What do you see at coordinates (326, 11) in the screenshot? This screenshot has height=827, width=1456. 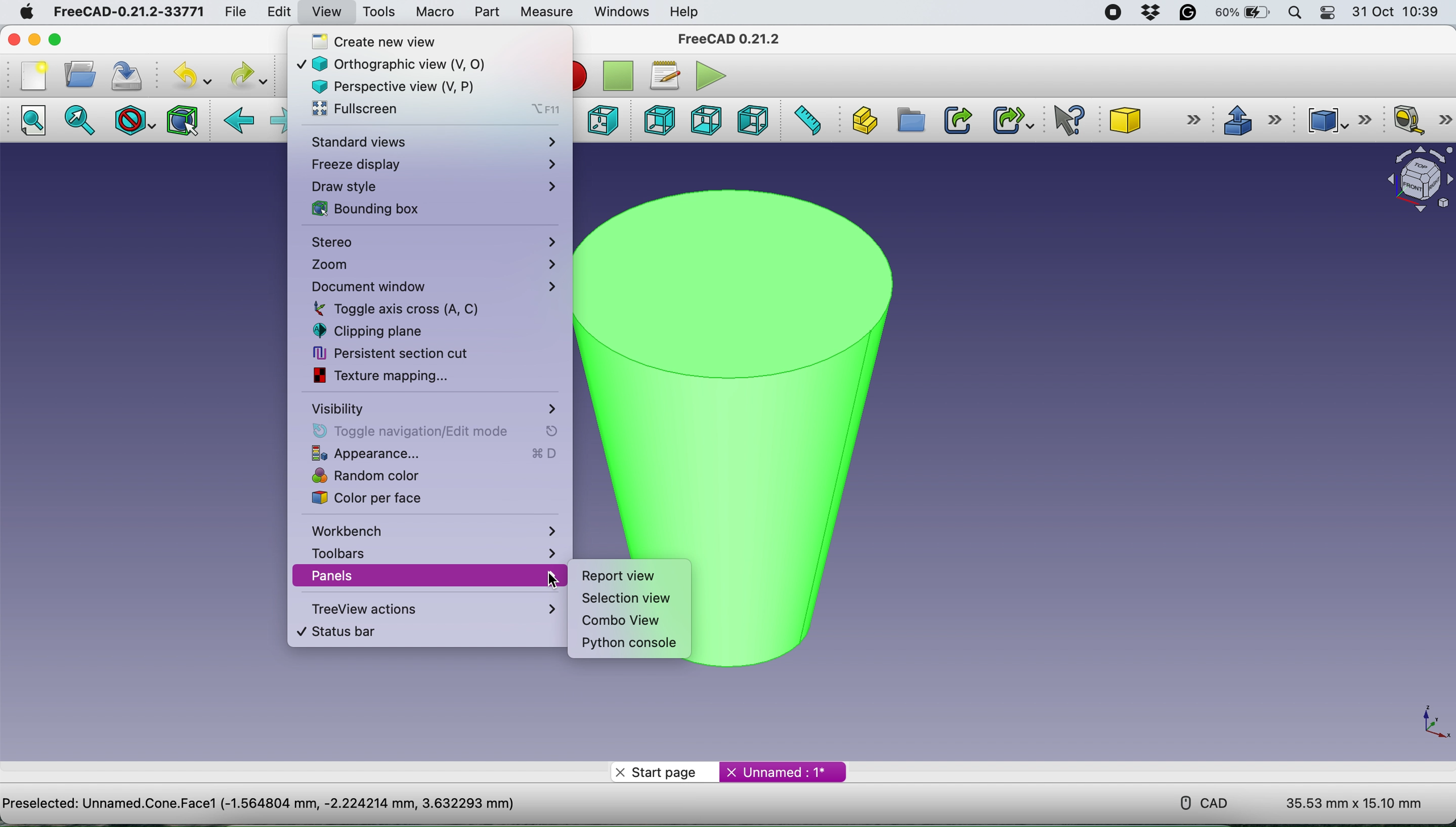 I see `view` at bounding box center [326, 11].